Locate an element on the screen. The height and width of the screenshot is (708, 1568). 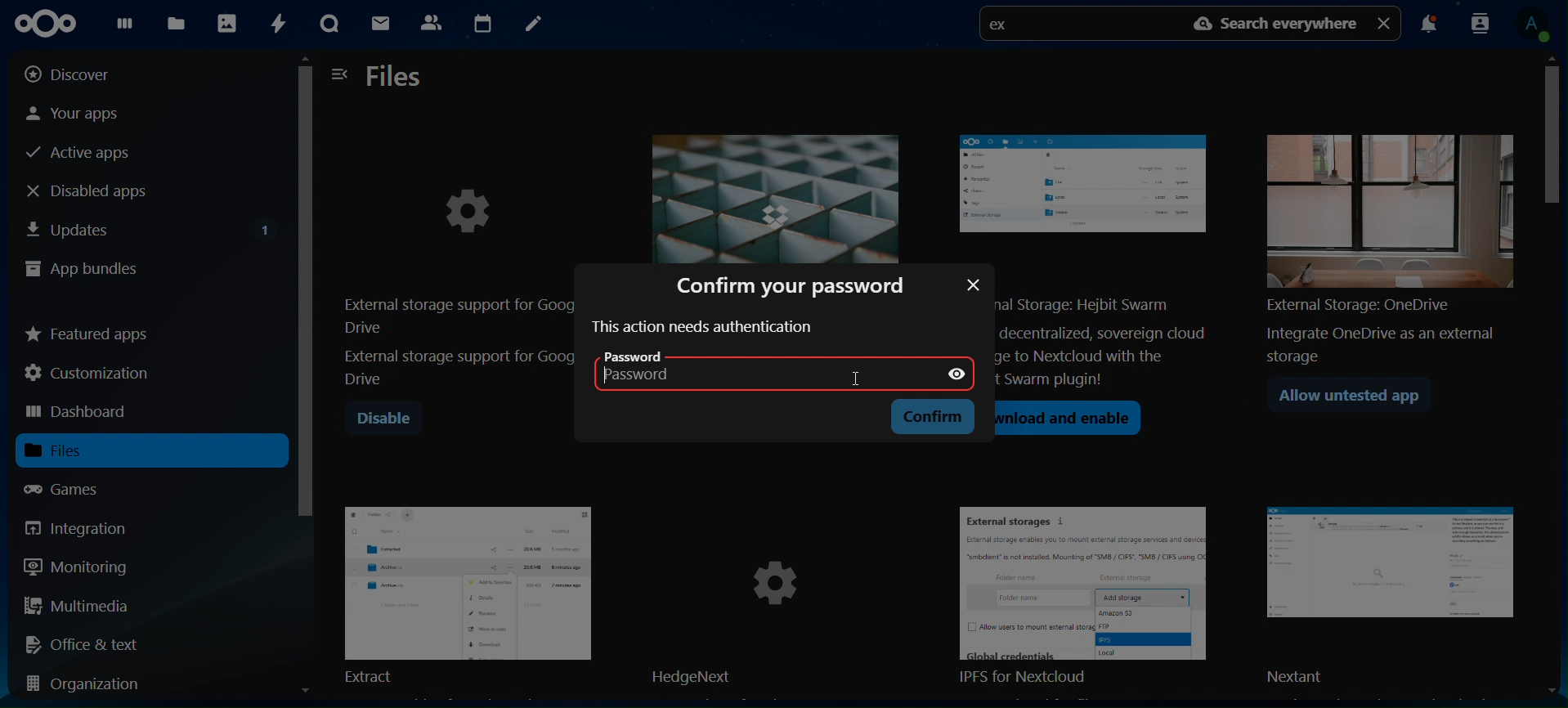
updates is located at coordinates (150, 226).